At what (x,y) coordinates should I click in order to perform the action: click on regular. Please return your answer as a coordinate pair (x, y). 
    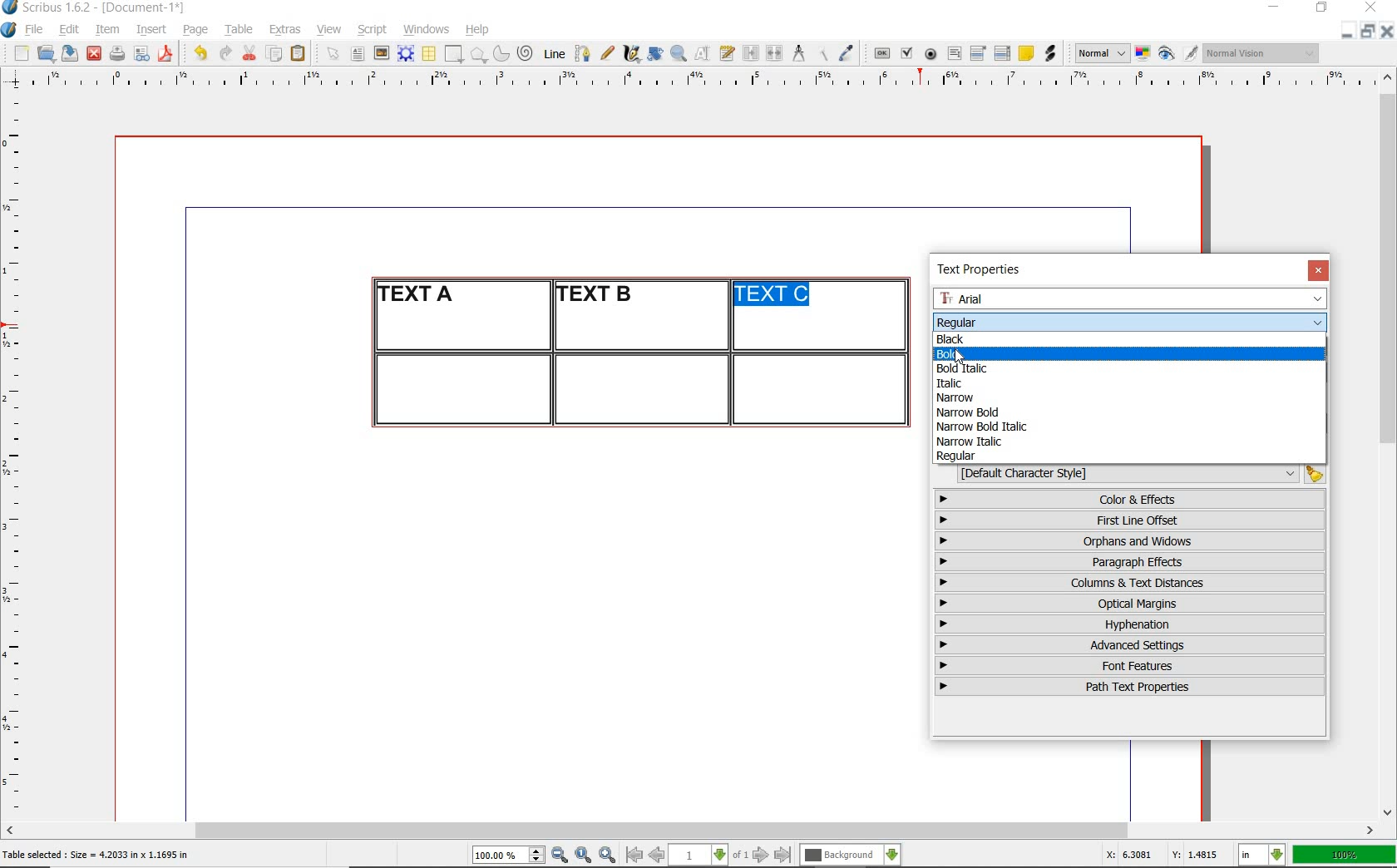
    Looking at the image, I should click on (955, 321).